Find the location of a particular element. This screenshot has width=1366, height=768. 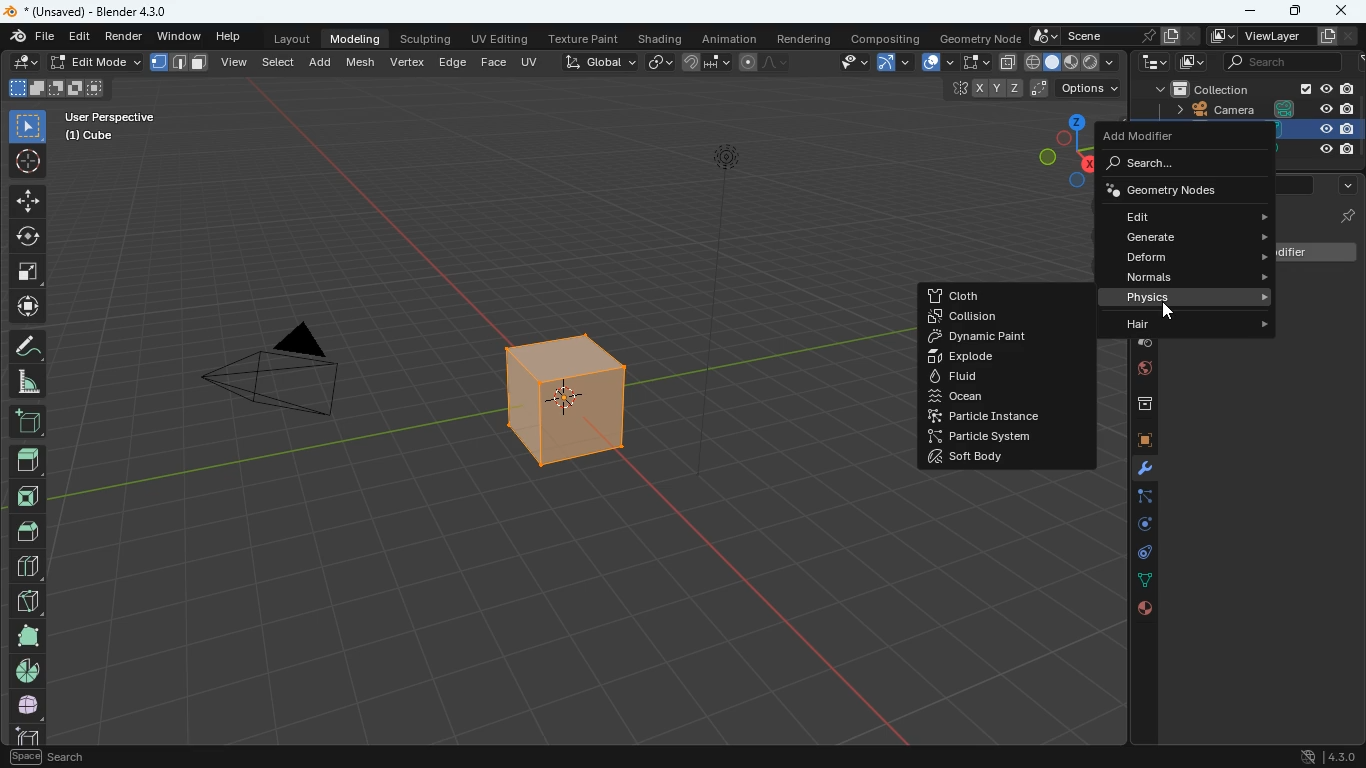

collection is located at coordinates (1256, 88).